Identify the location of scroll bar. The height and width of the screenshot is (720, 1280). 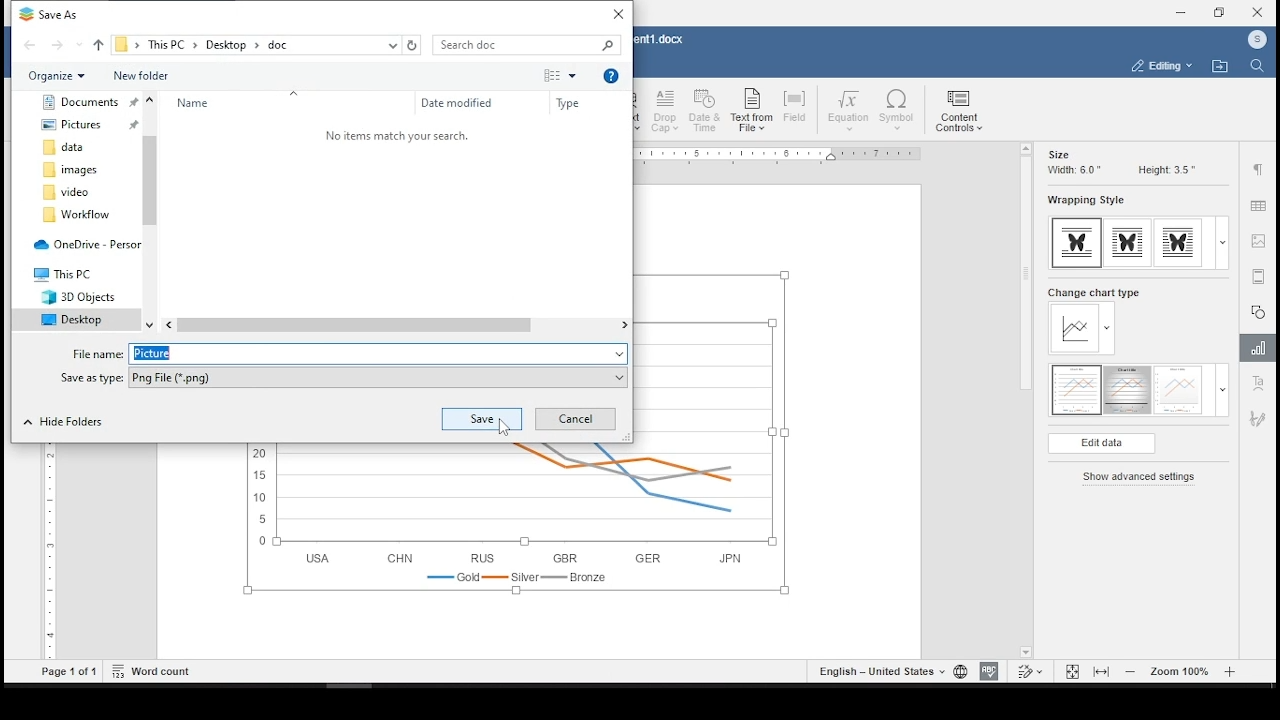
(1021, 401).